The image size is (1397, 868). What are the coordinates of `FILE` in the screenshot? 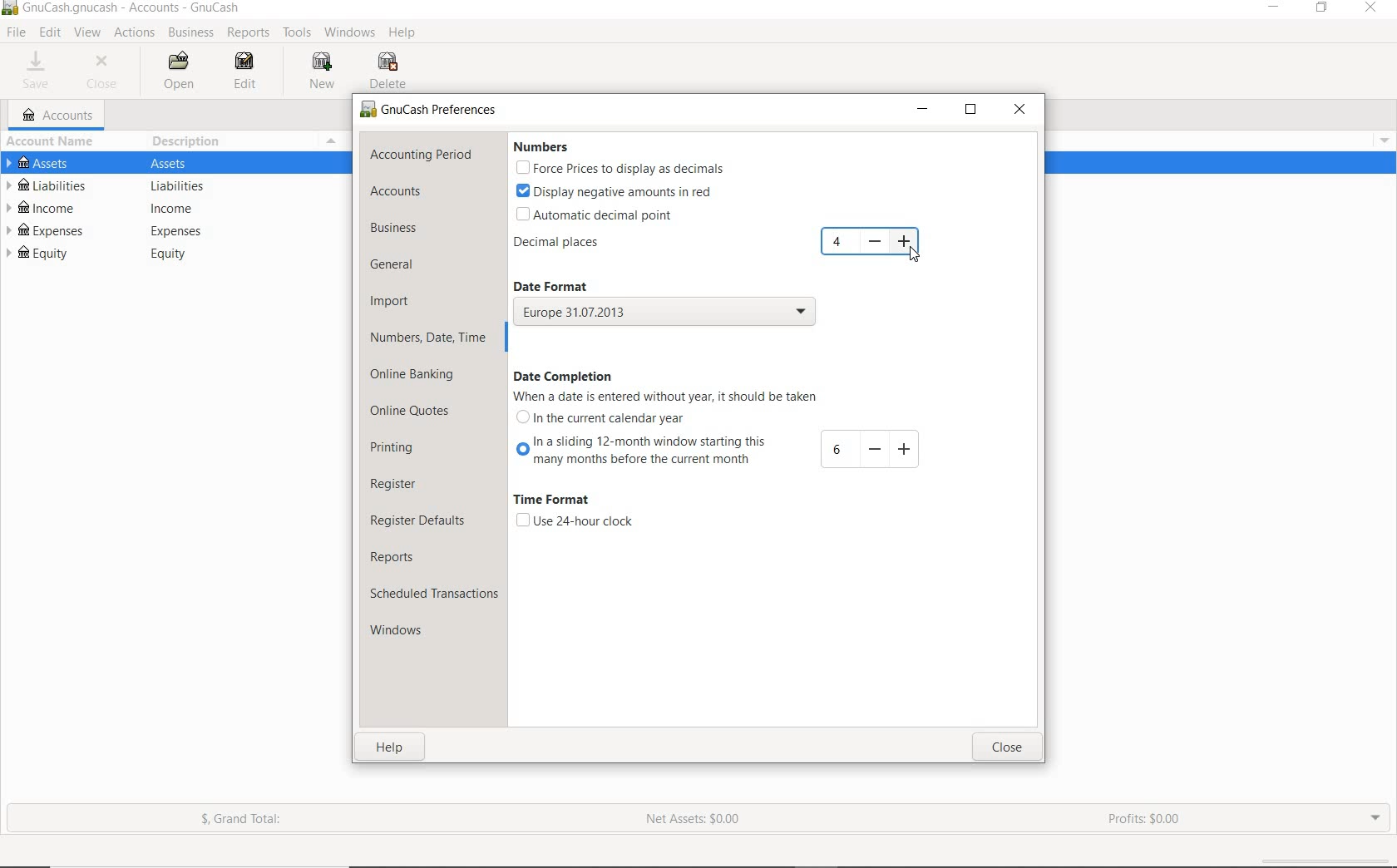 It's located at (15, 33).